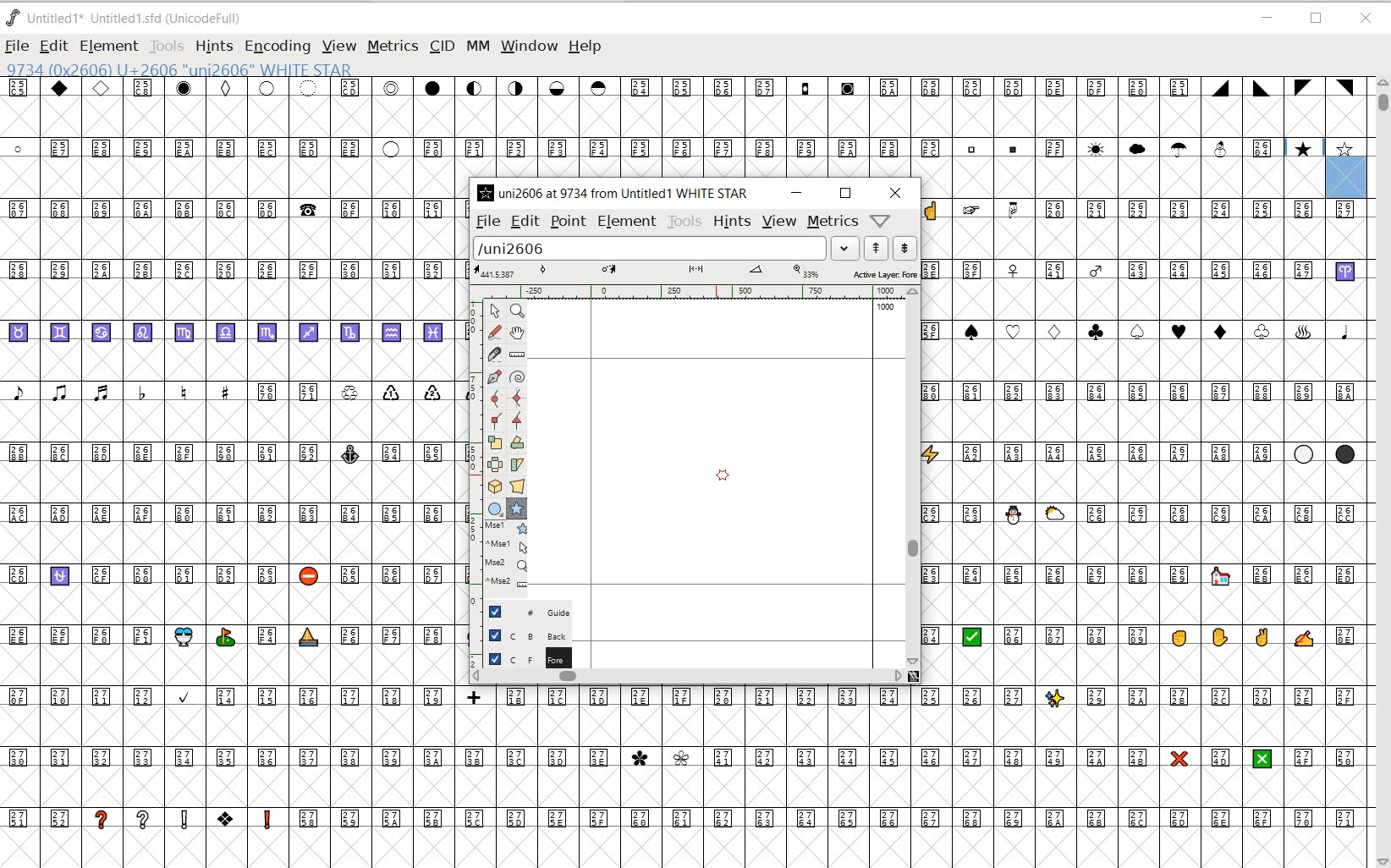  What do you see at coordinates (845, 194) in the screenshot?
I see `RESTORE` at bounding box center [845, 194].